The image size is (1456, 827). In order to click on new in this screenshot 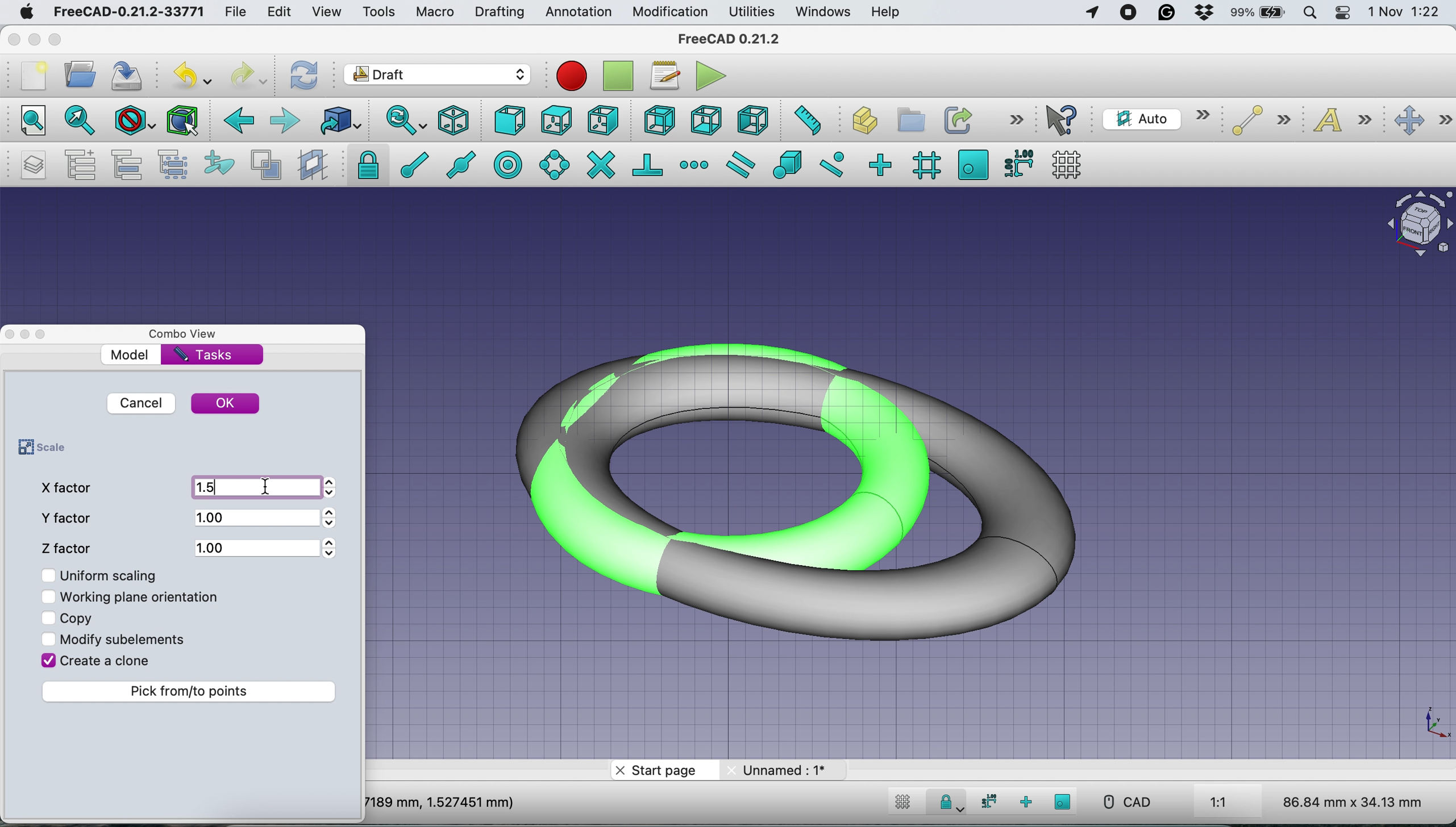, I will do `click(32, 76)`.